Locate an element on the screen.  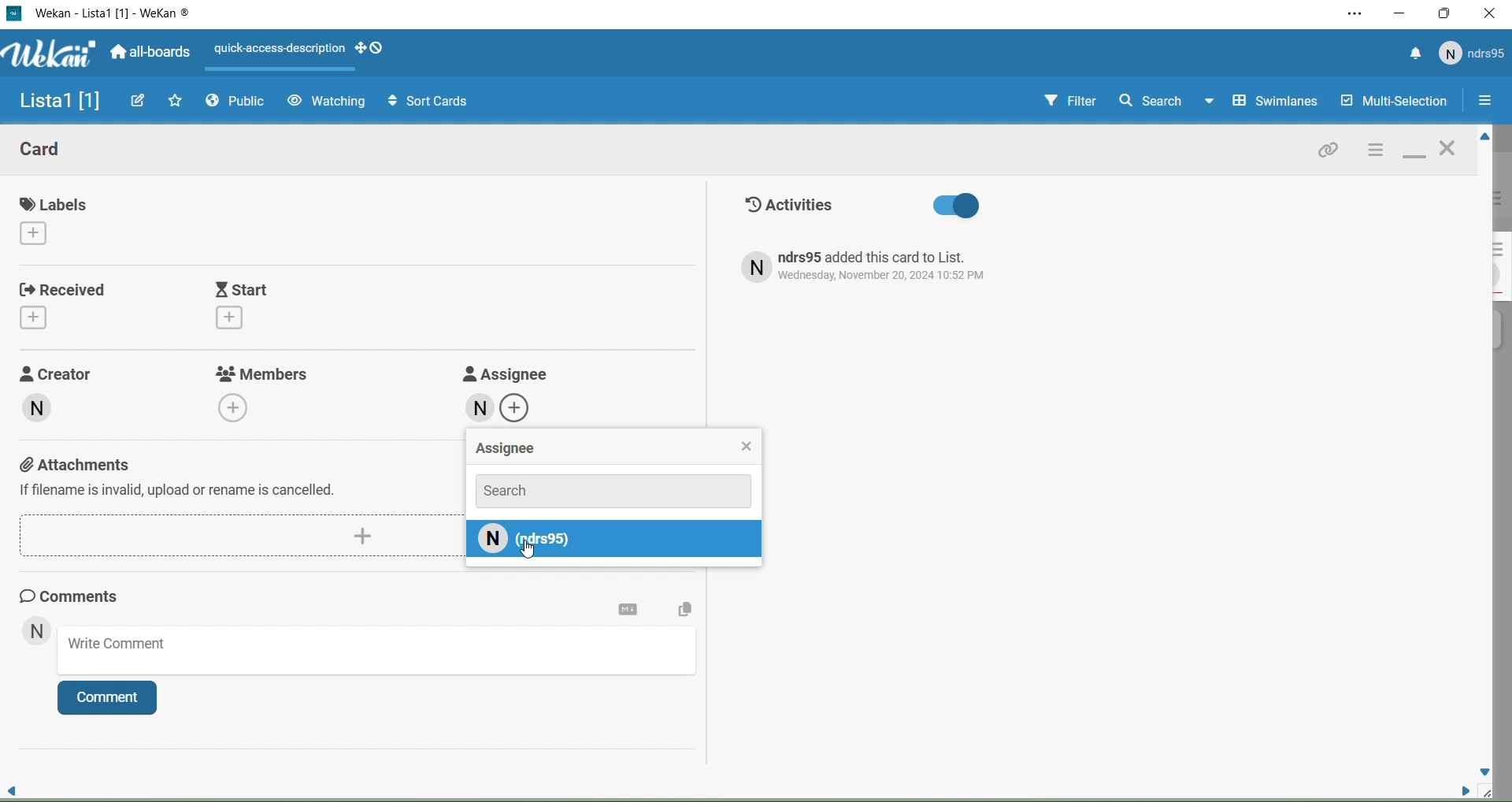
Watching is located at coordinates (326, 102).